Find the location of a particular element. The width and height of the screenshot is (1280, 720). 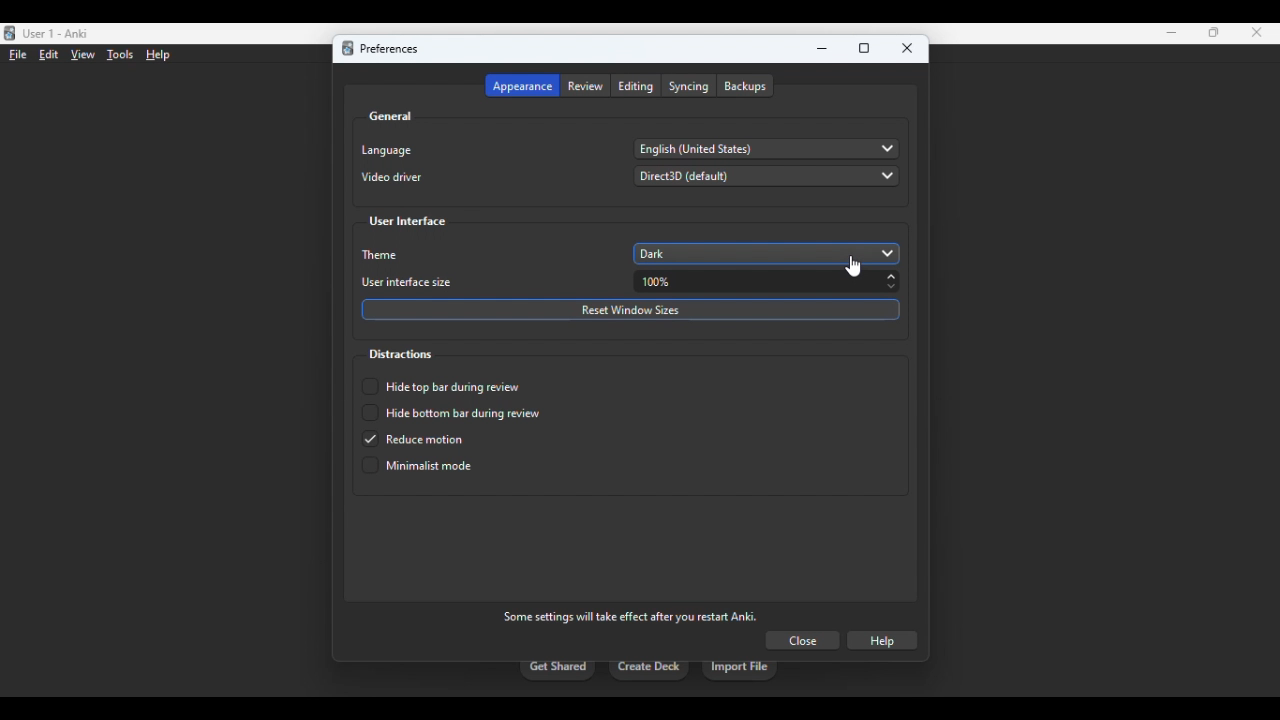

help is located at coordinates (882, 641).